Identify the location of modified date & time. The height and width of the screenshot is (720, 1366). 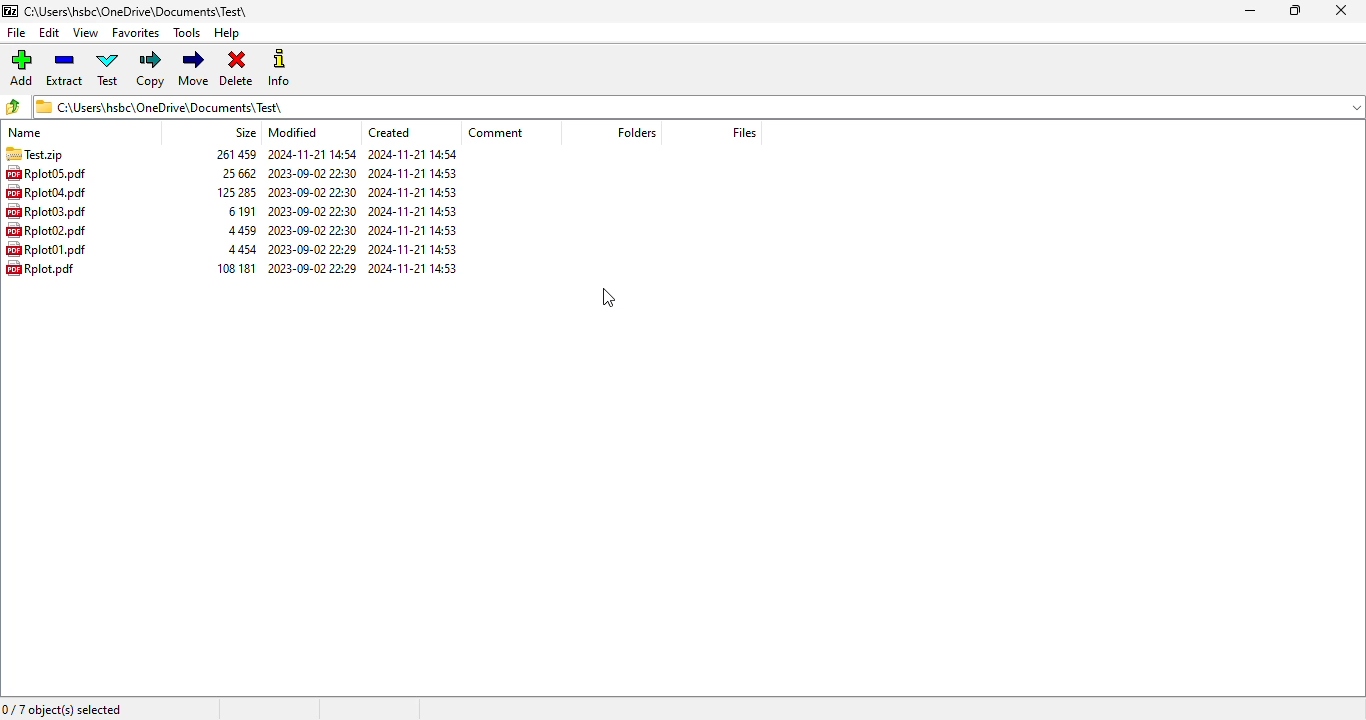
(311, 154).